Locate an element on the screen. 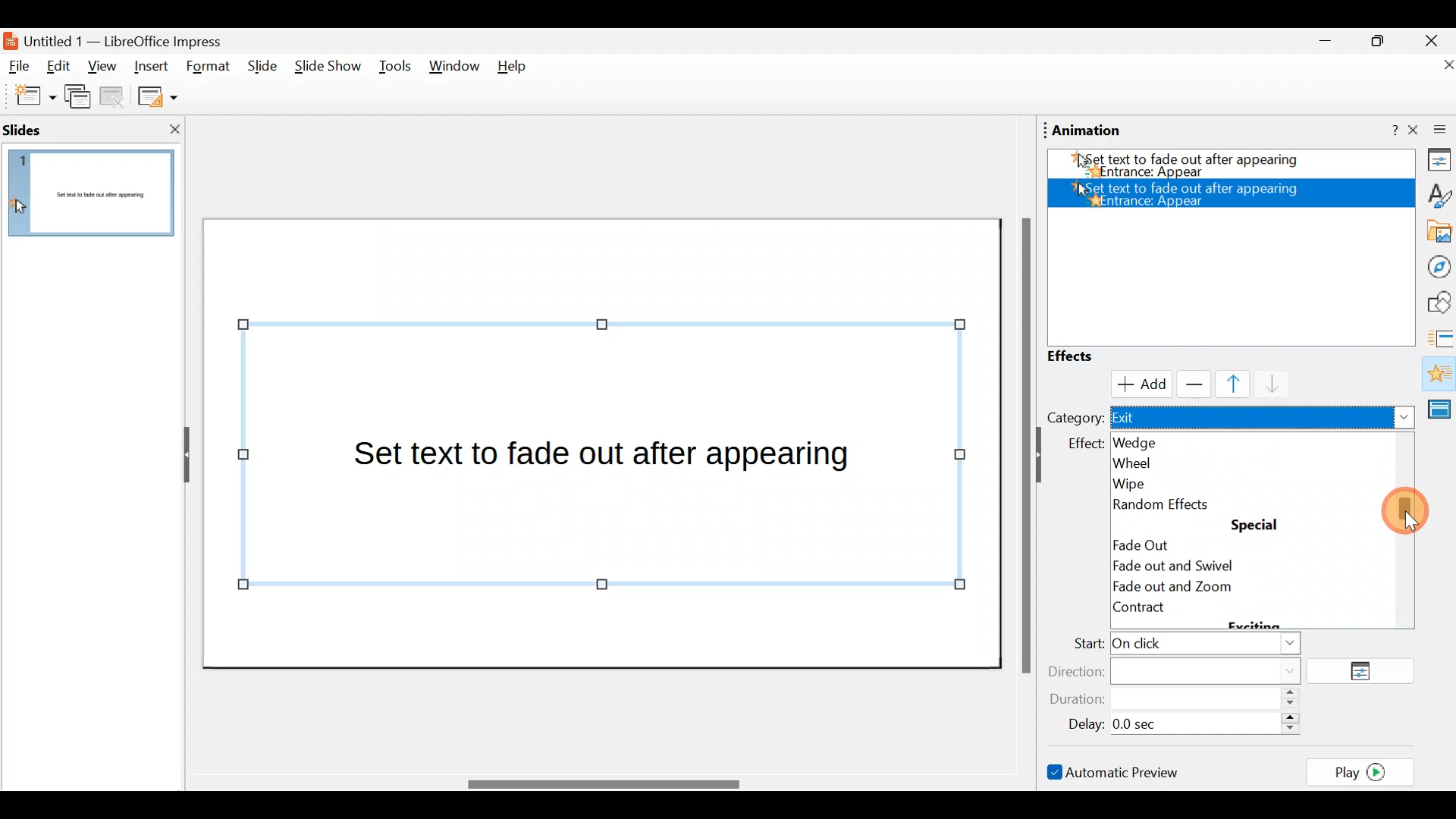 Image resolution: width=1456 pixels, height=819 pixels. Animation is located at coordinates (1438, 375).